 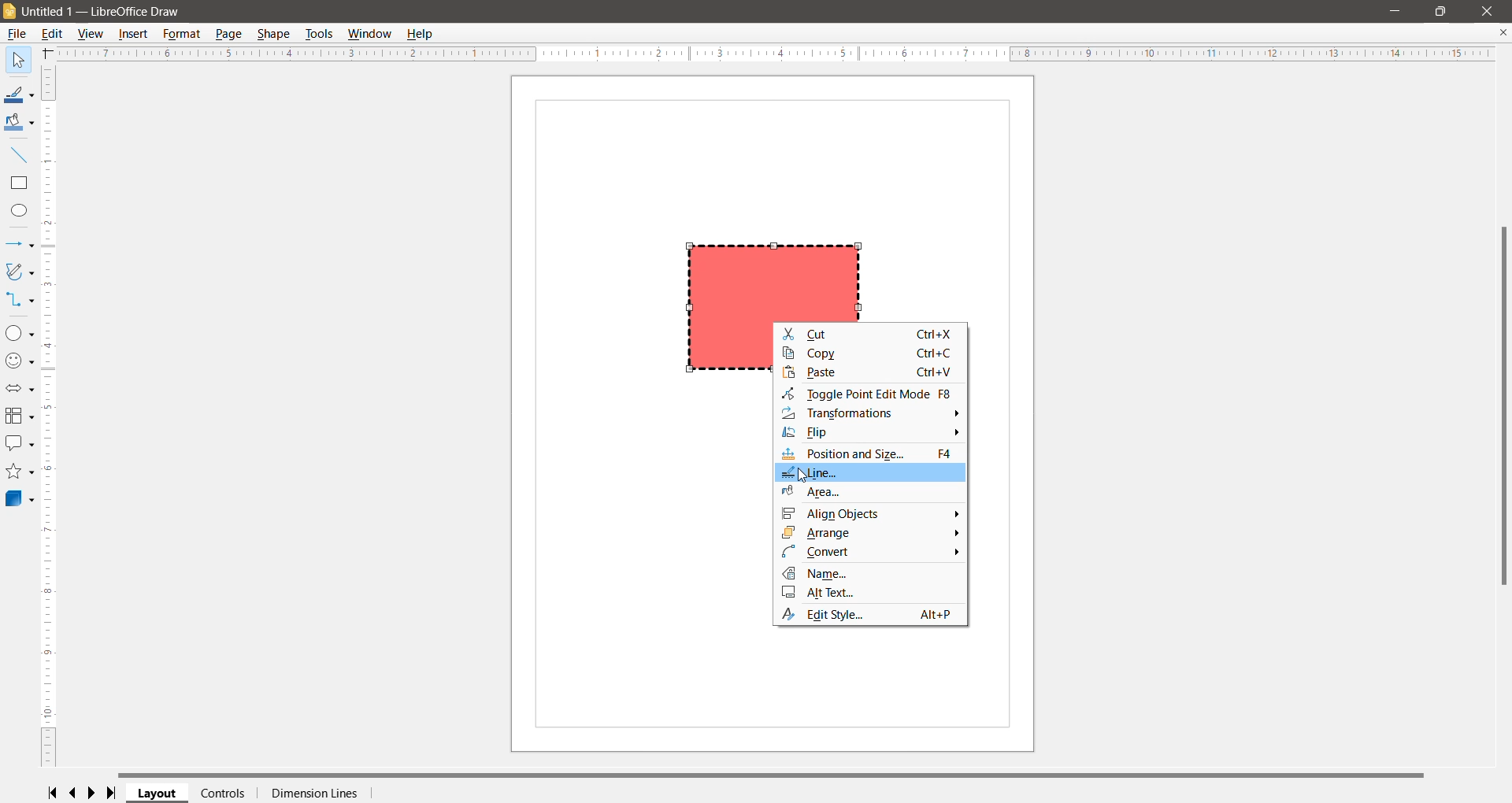 I want to click on Close Document, so click(x=1503, y=32).